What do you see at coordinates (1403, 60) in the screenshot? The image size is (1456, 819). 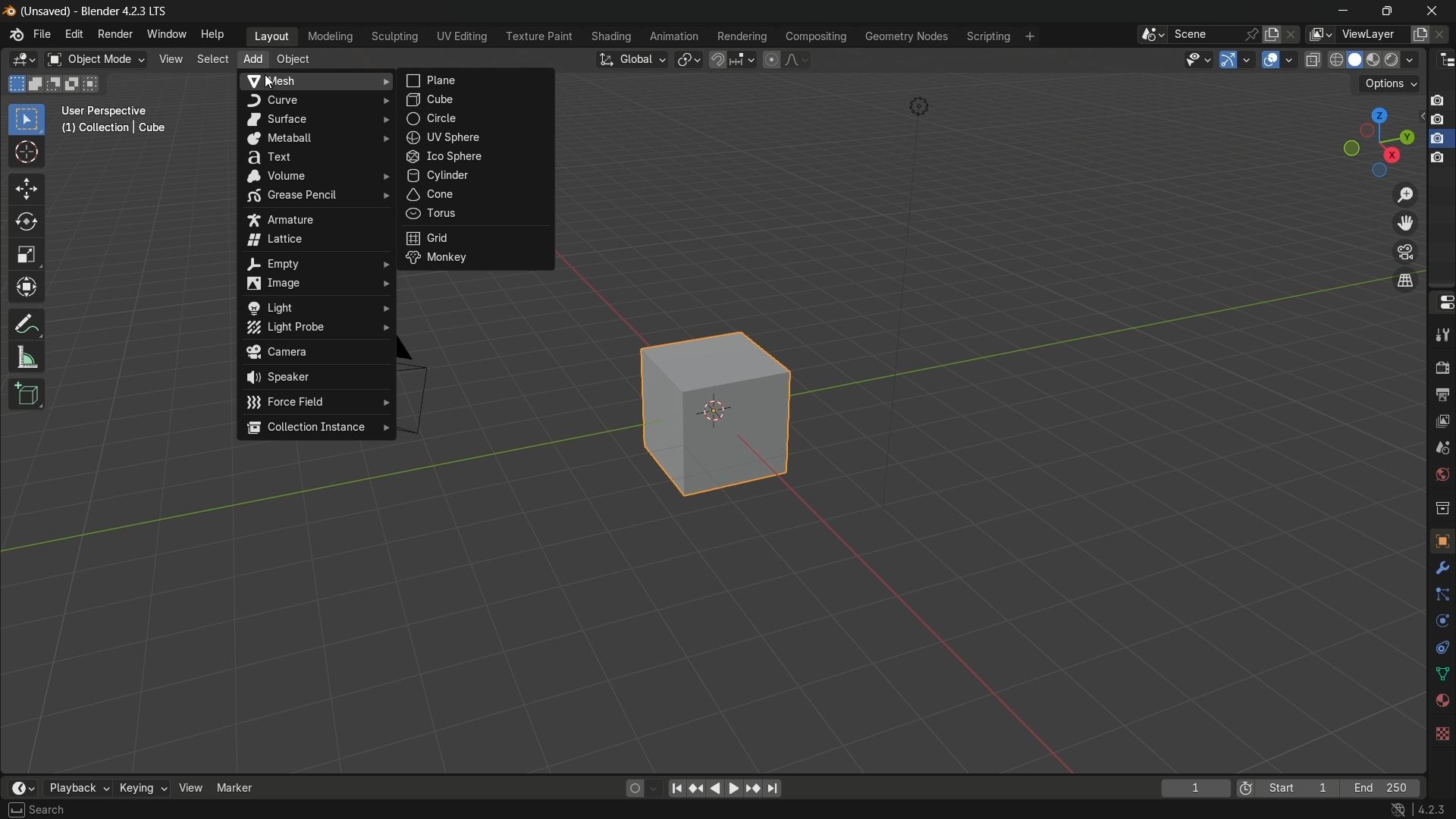 I see `material preview` at bounding box center [1403, 60].